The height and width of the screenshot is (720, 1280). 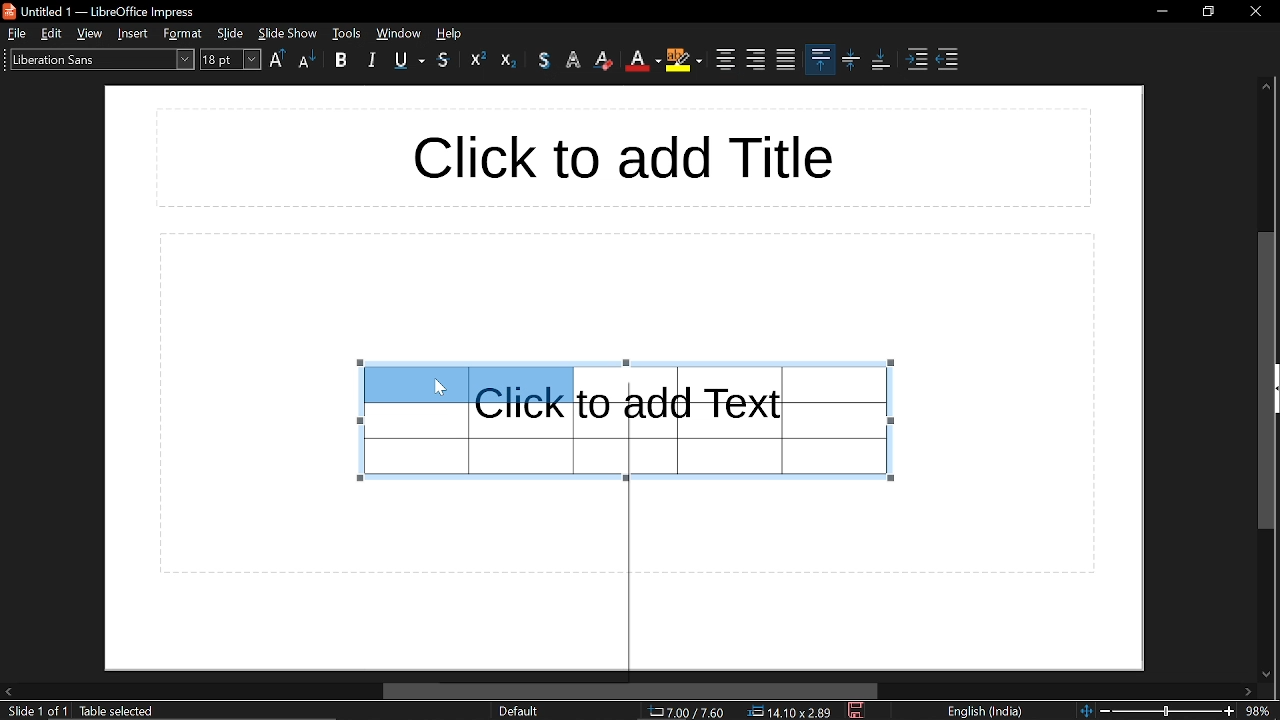 What do you see at coordinates (347, 33) in the screenshot?
I see `window` at bounding box center [347, 33].